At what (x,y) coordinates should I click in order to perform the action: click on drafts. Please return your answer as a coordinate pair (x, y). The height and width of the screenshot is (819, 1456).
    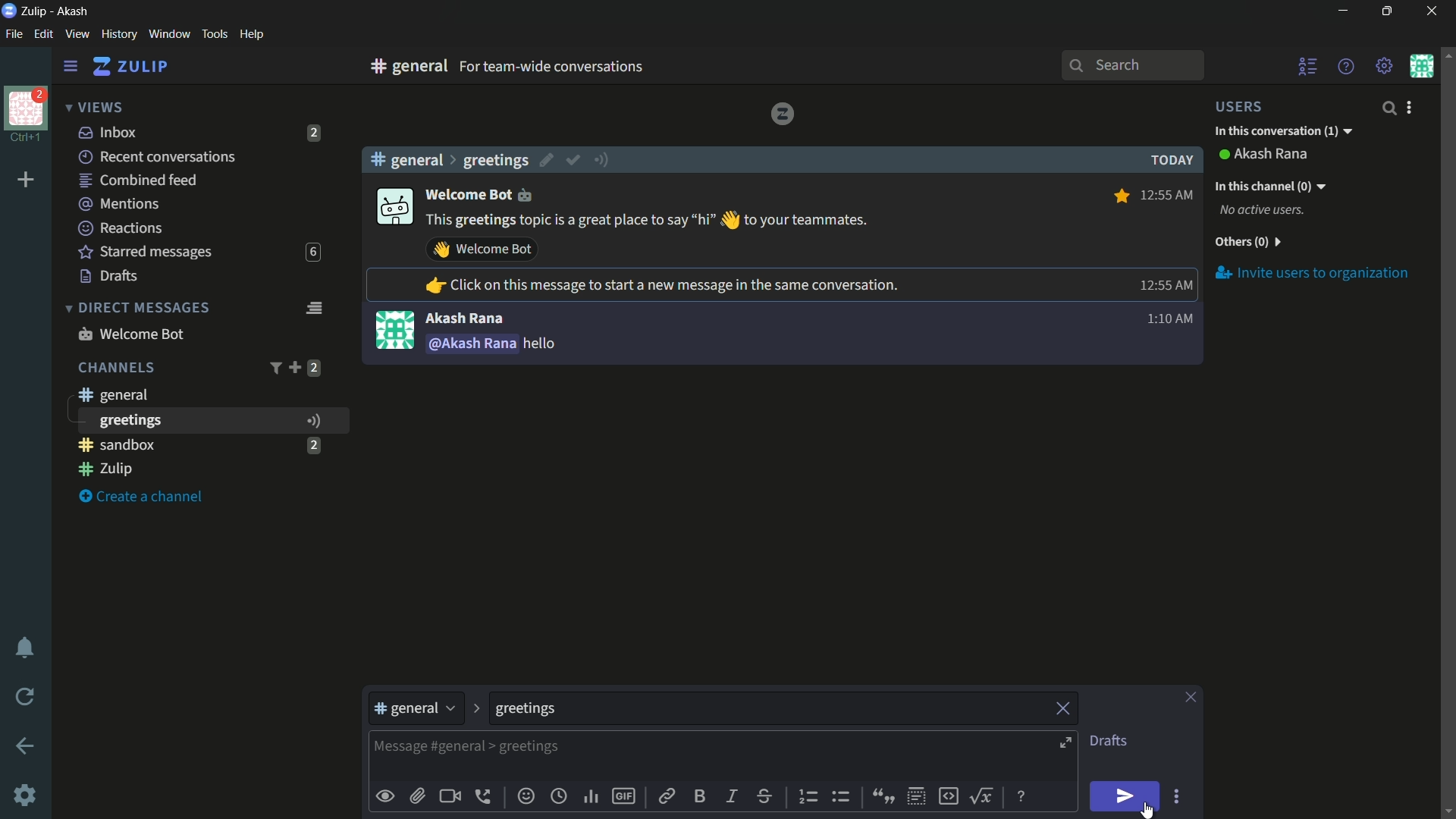
    Looking at the image, I should click on (1108, 741).